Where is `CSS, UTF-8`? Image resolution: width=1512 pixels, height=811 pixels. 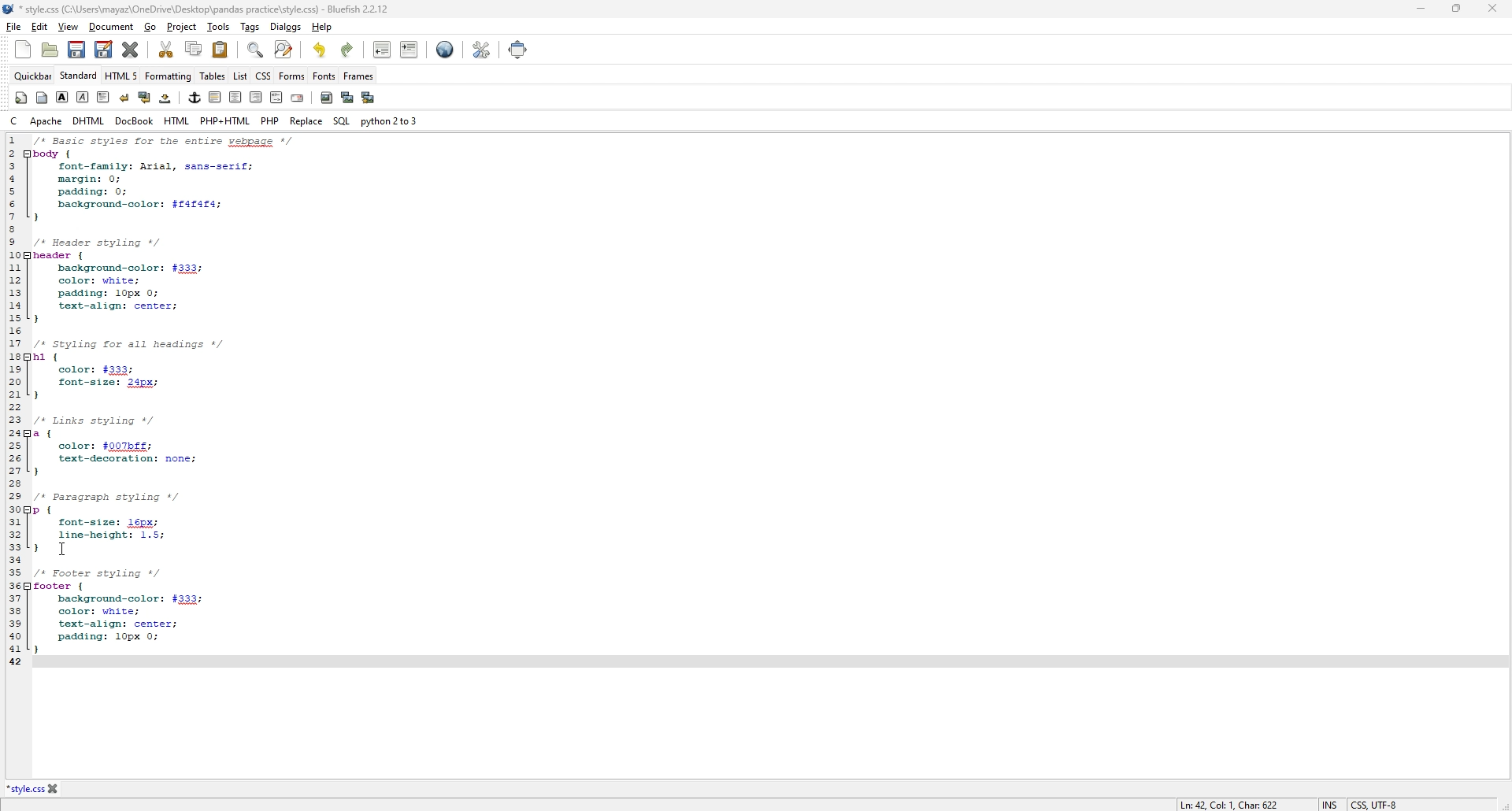
CSS, UTF-8 is located at coordinates (1377, 804).